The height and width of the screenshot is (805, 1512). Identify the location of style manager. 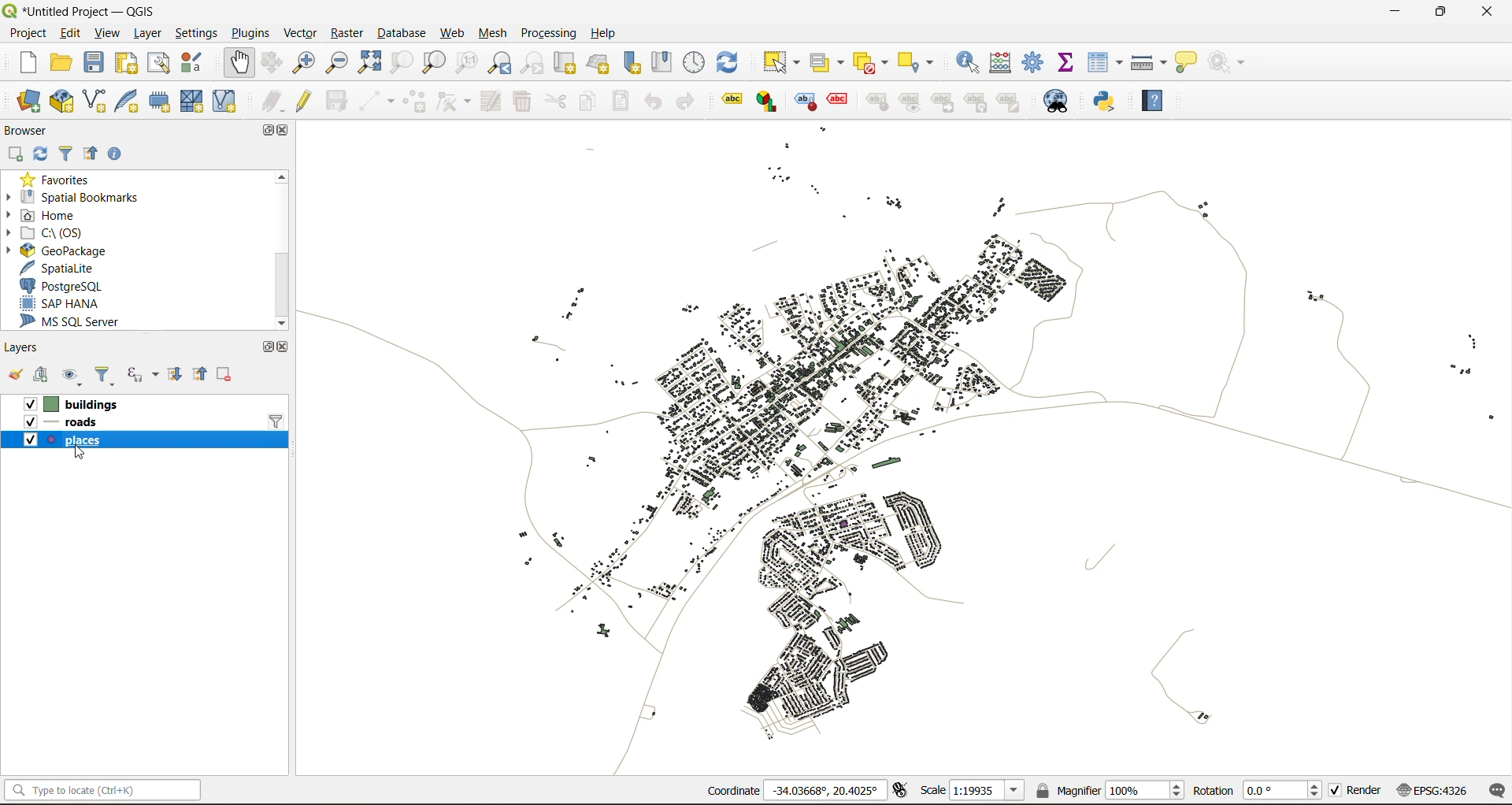
(198, 65).